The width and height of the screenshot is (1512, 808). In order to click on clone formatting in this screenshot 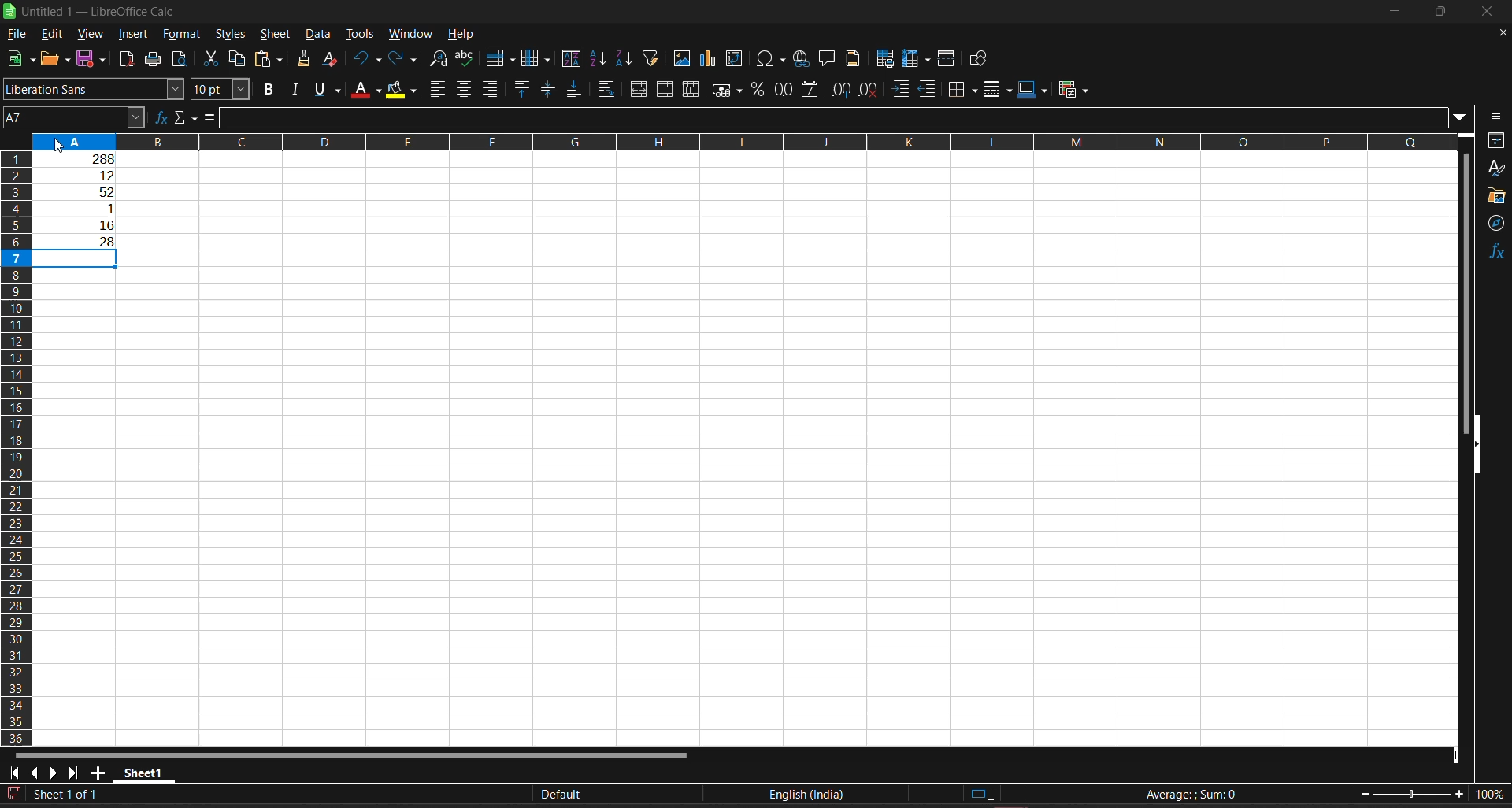, I will do `click(301, 59)`.